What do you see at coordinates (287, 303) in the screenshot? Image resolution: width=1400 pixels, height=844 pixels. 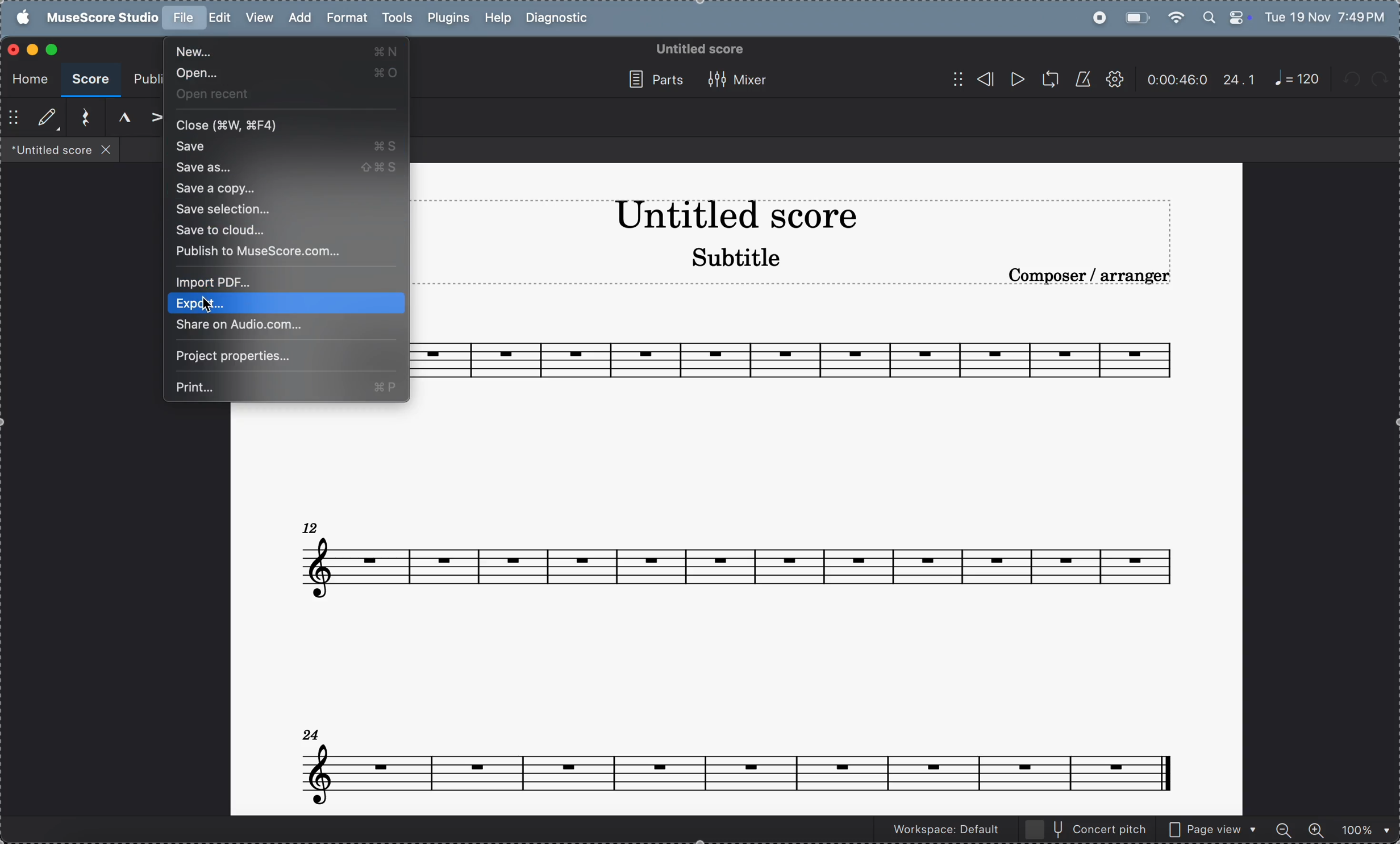 I see `export` at bounding box center [287, 303].